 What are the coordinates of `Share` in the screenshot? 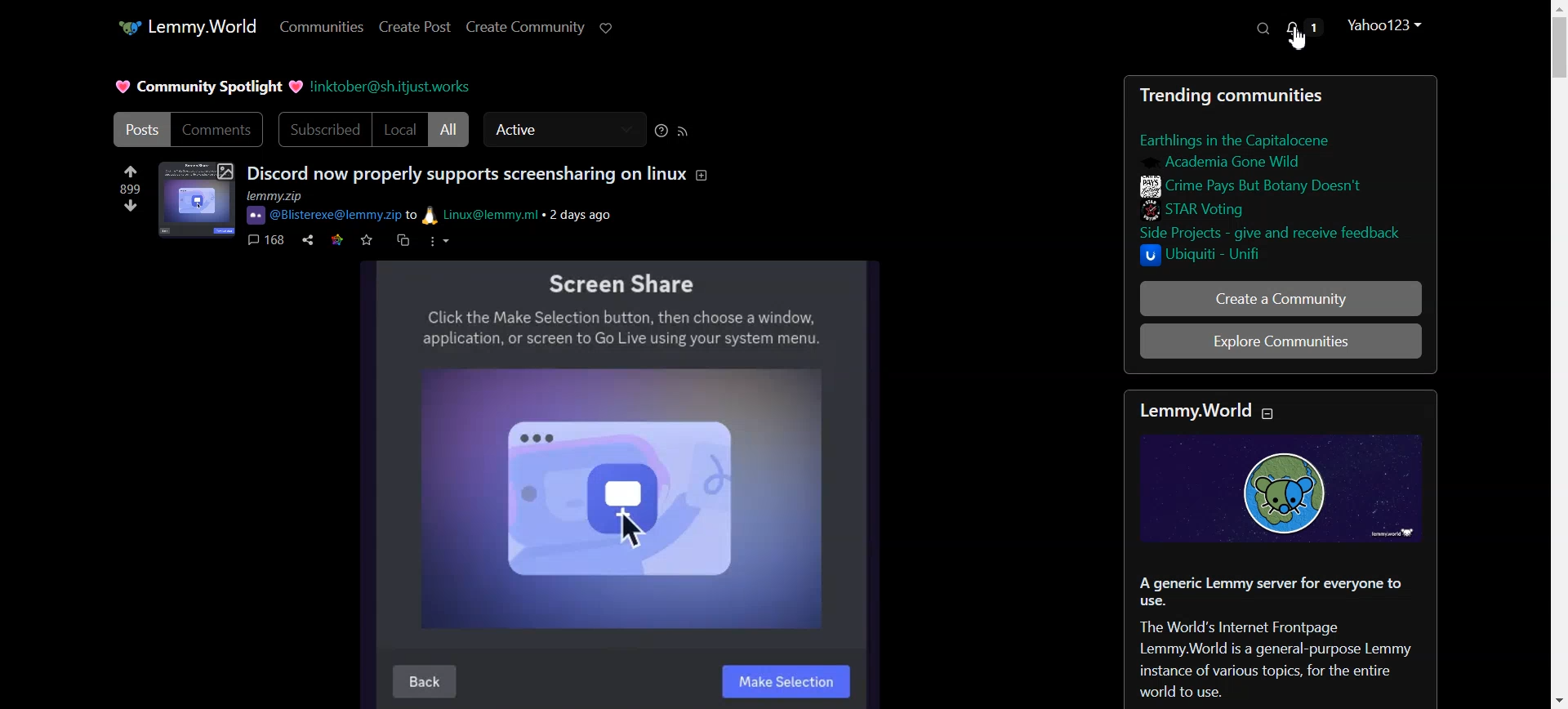 It's located at (309, 239).